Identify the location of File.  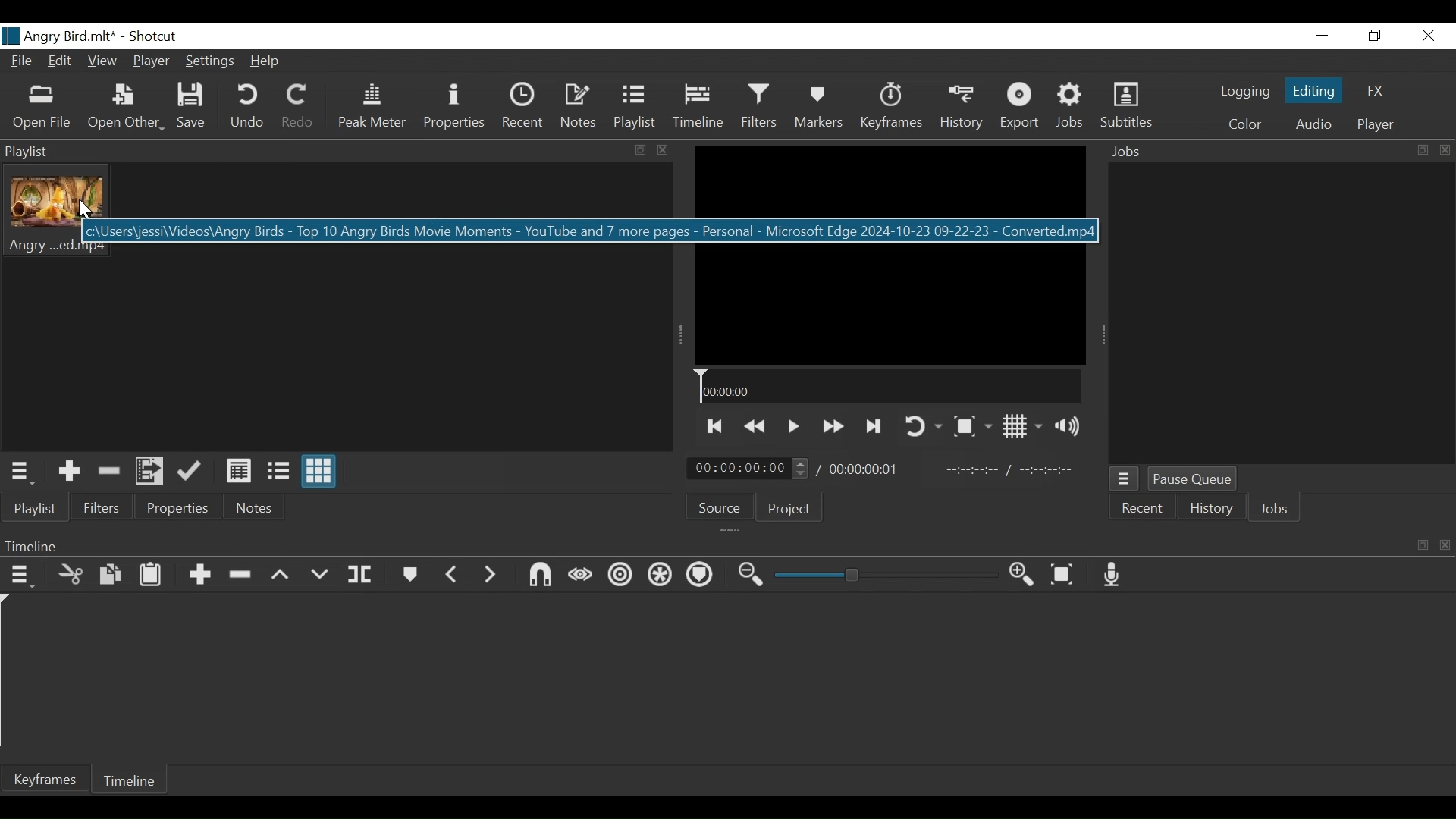
(20, 60).